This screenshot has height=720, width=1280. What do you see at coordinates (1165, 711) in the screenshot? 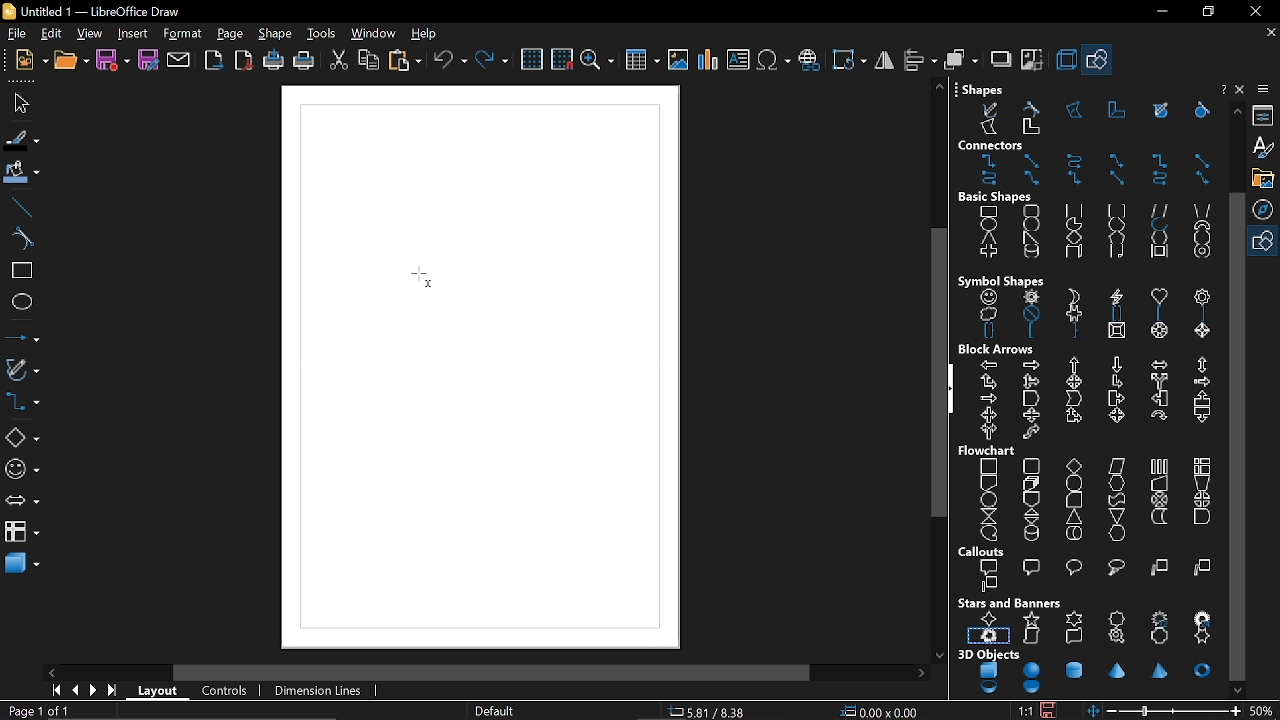
I see `change zoom` at bounding box center [1165, 711].